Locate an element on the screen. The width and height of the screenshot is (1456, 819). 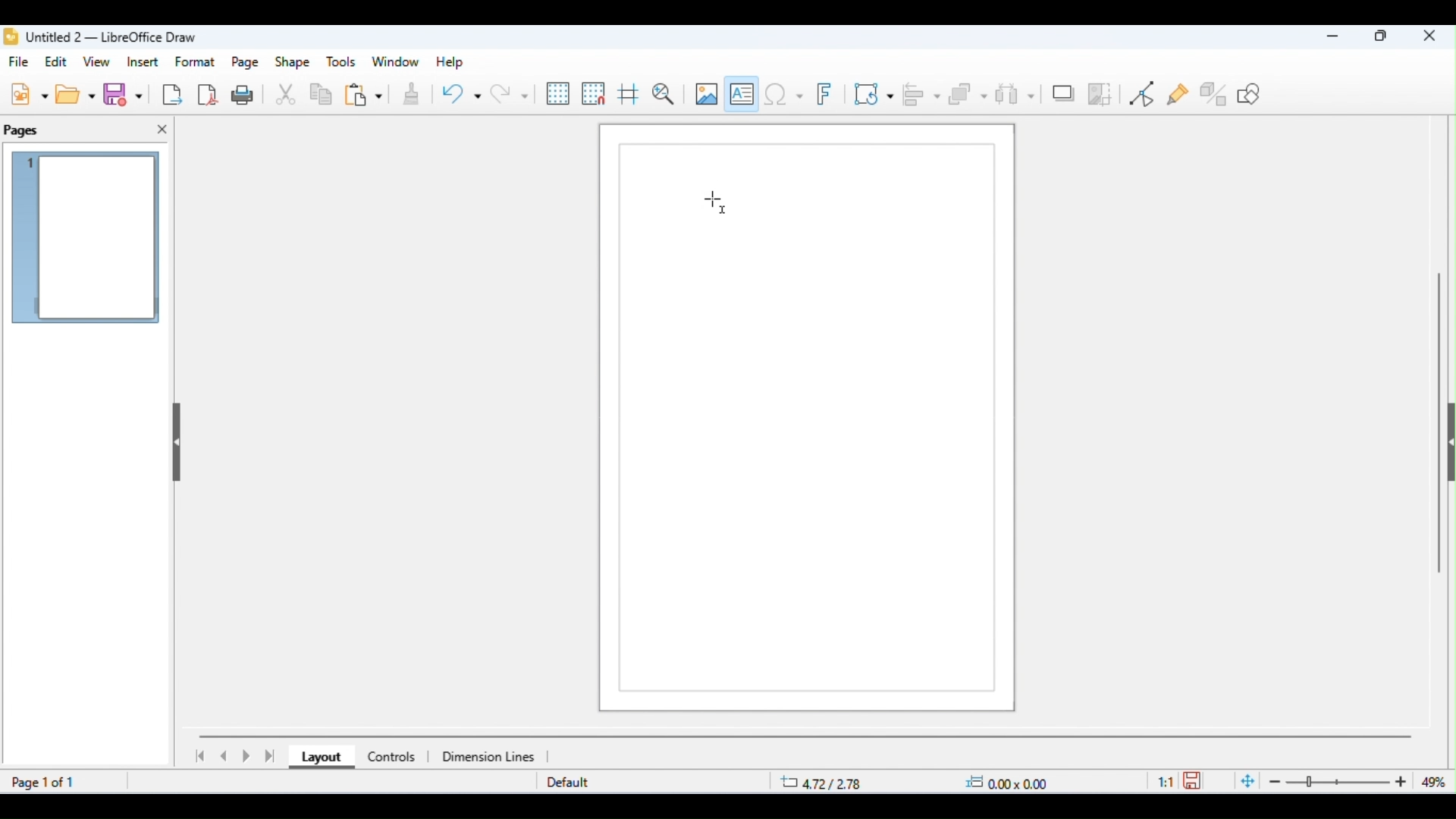
insert text box is located at coordinates (742, 91).